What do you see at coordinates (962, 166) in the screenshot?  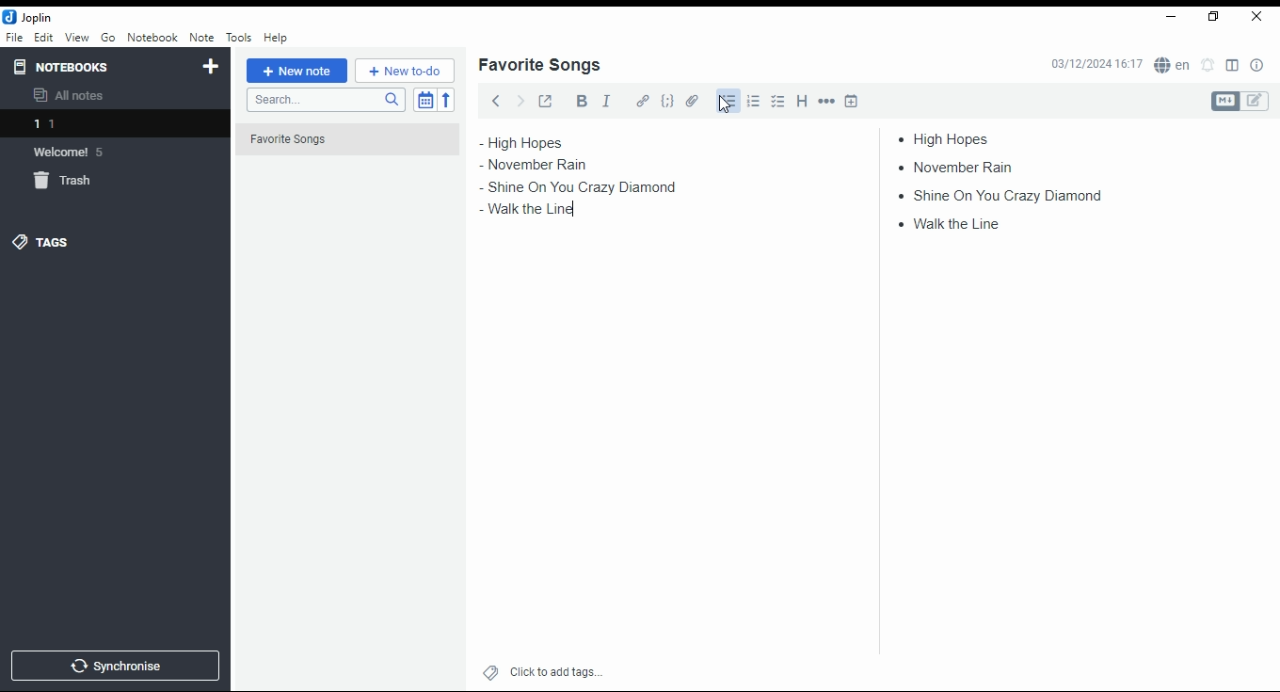 I see `november rain` at bounding box center [962, 166].